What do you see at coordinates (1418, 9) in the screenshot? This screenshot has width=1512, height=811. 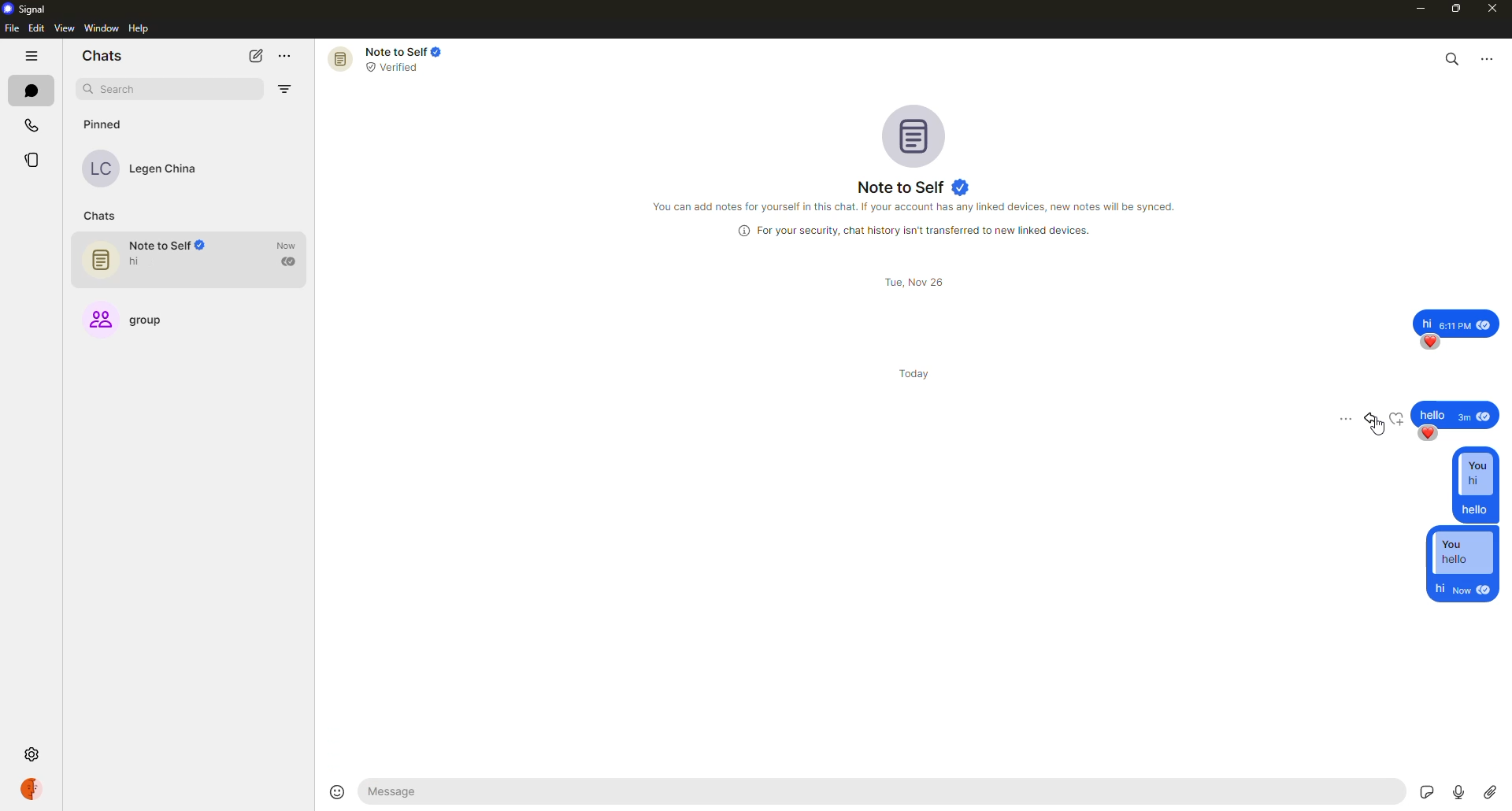 I see `minimize` at bounding box center [1418, 9].